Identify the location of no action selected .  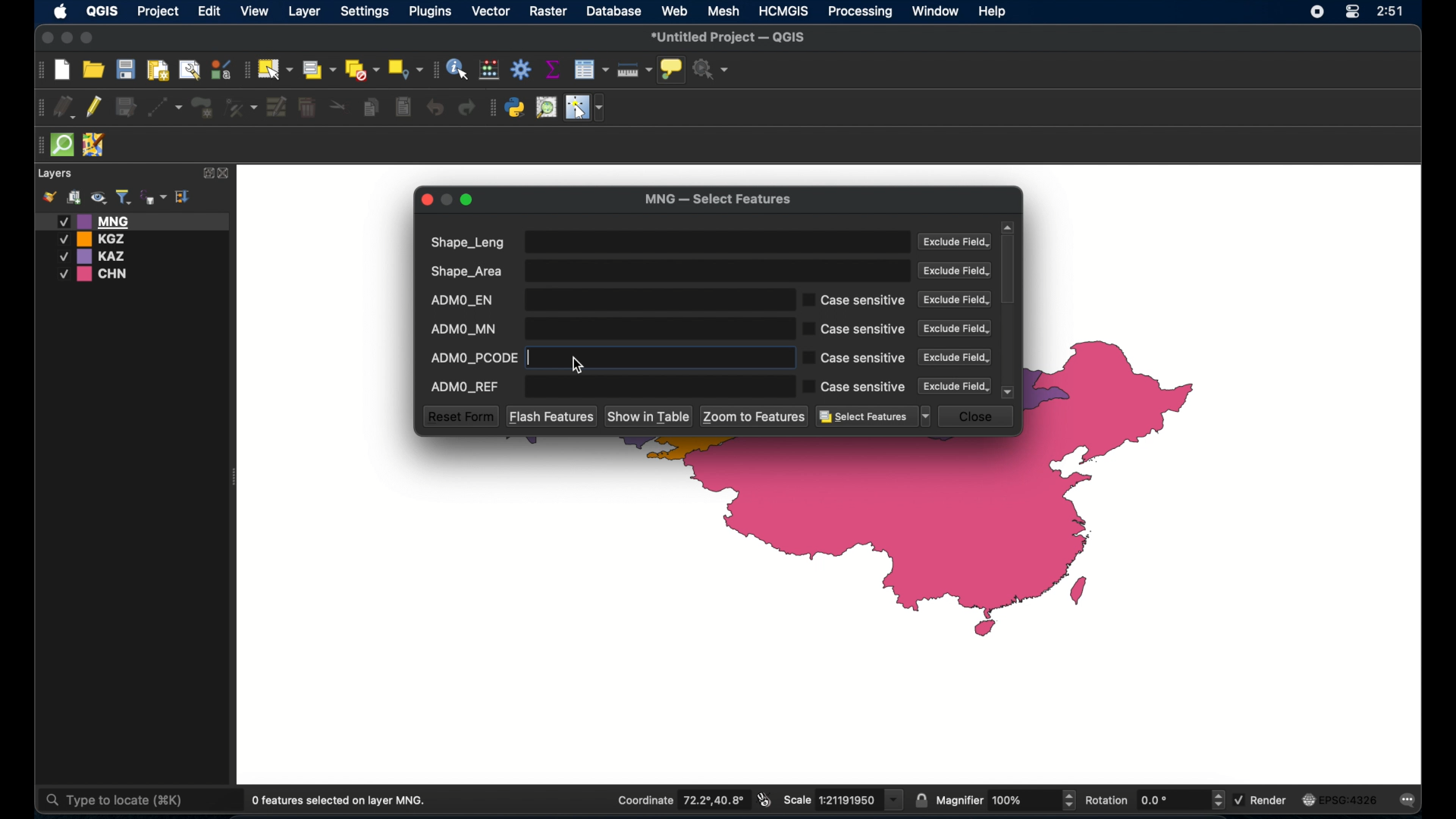
(712, 69).